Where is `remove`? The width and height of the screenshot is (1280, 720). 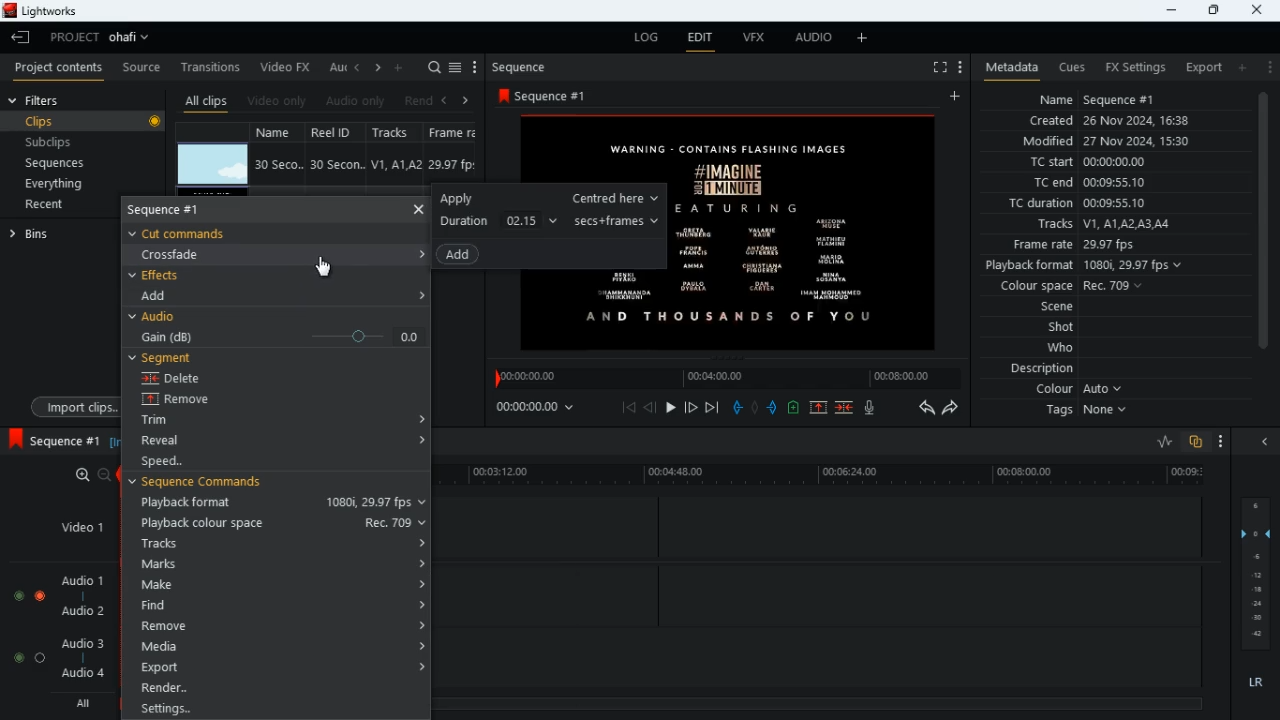 remove is located at coordinates (283, 626).